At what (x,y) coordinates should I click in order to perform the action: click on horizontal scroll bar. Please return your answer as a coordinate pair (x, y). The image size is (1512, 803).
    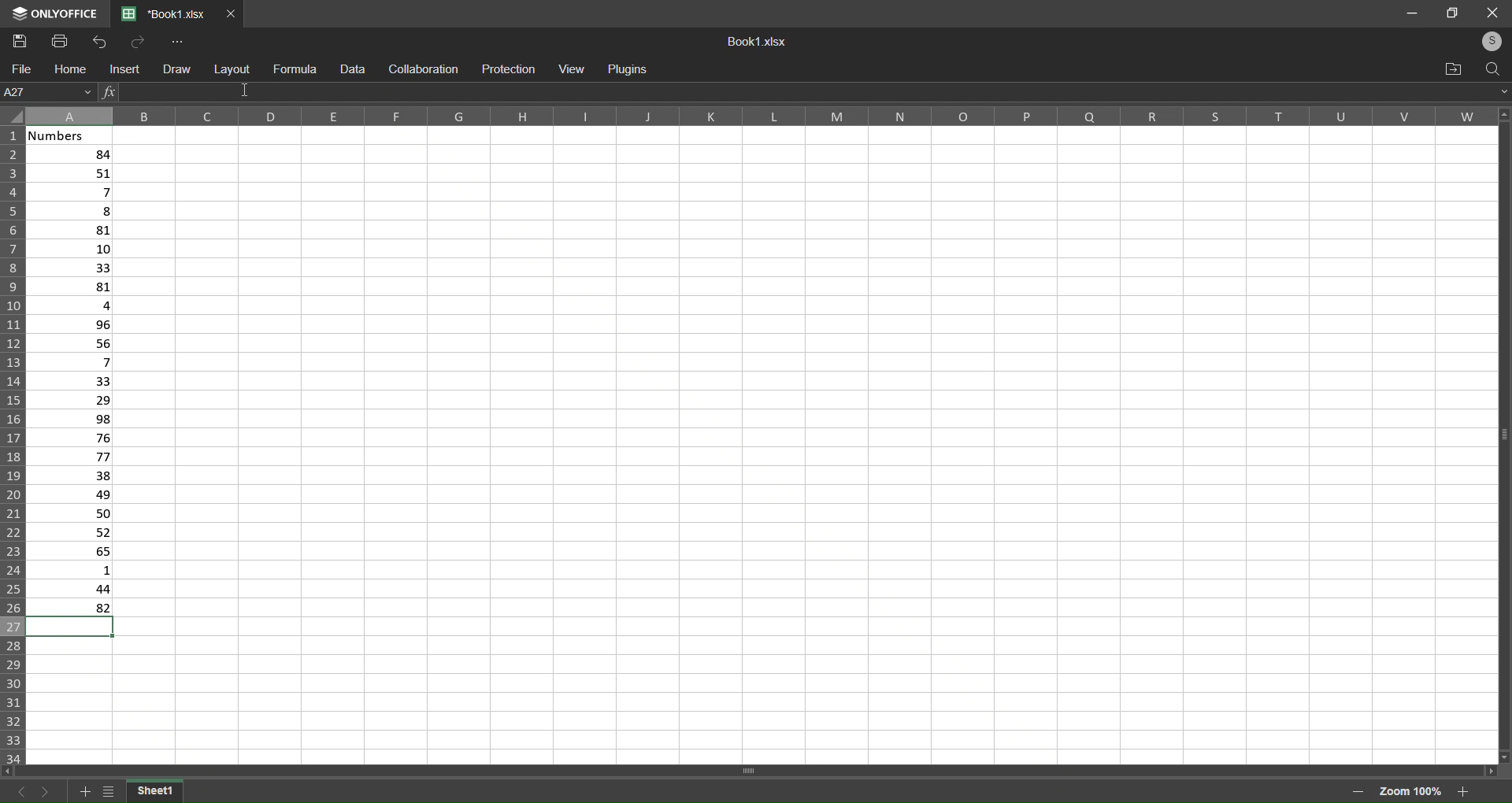
    Looking at the image, I should click on (752, 770).